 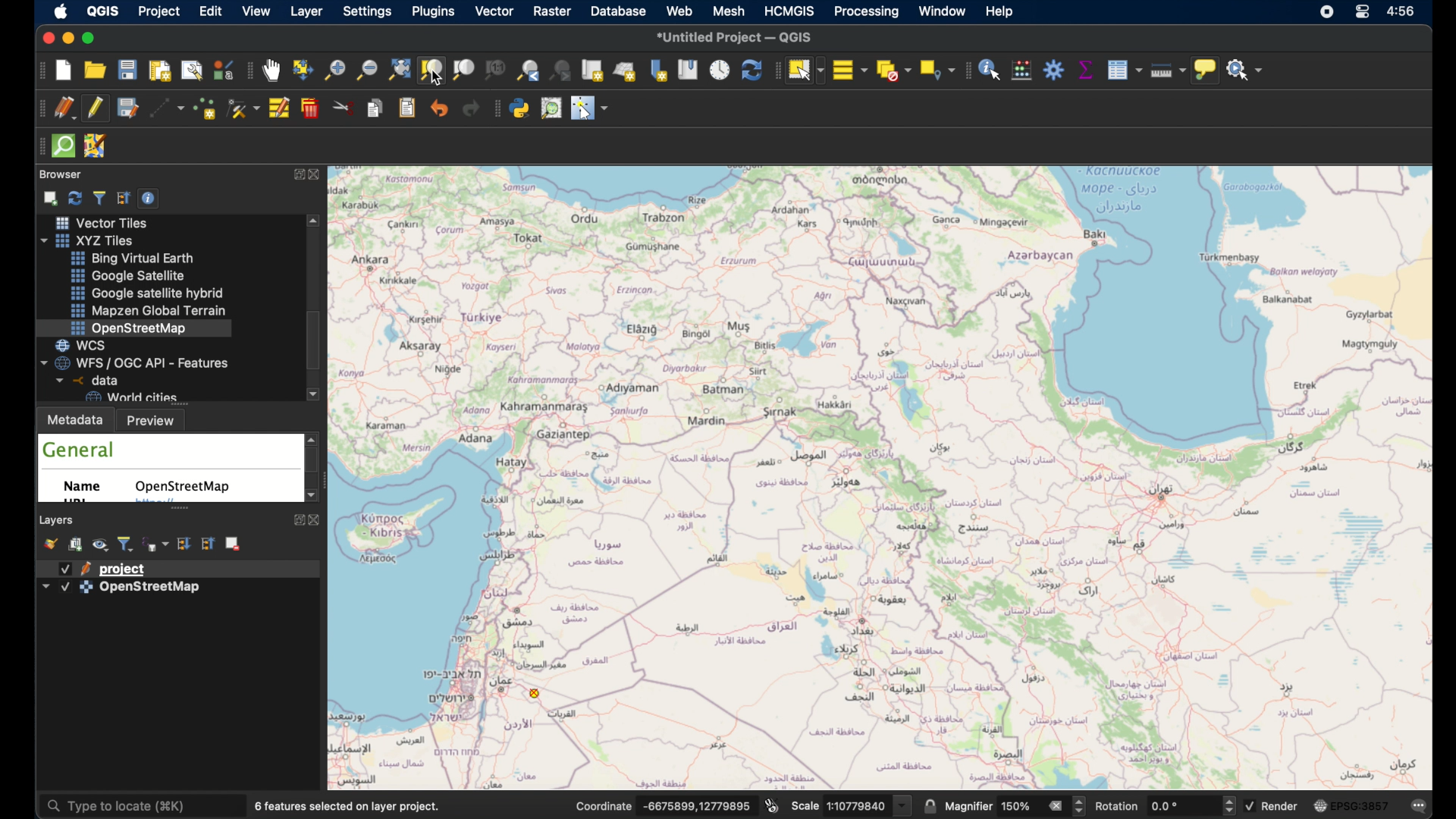 I want to click on redo, so click(x=471, y=109).